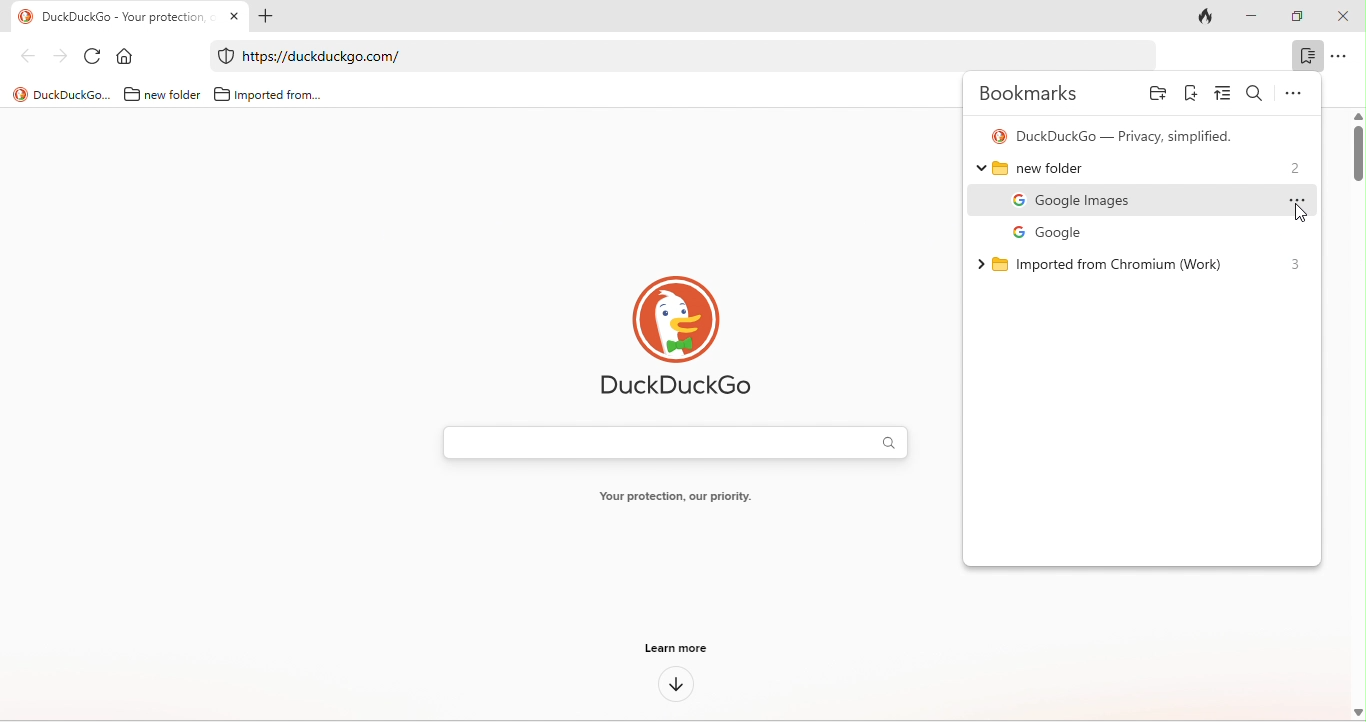 The height and width of the screenshot is (722, 1366). I want to click on new folder, so click(1136, 170).